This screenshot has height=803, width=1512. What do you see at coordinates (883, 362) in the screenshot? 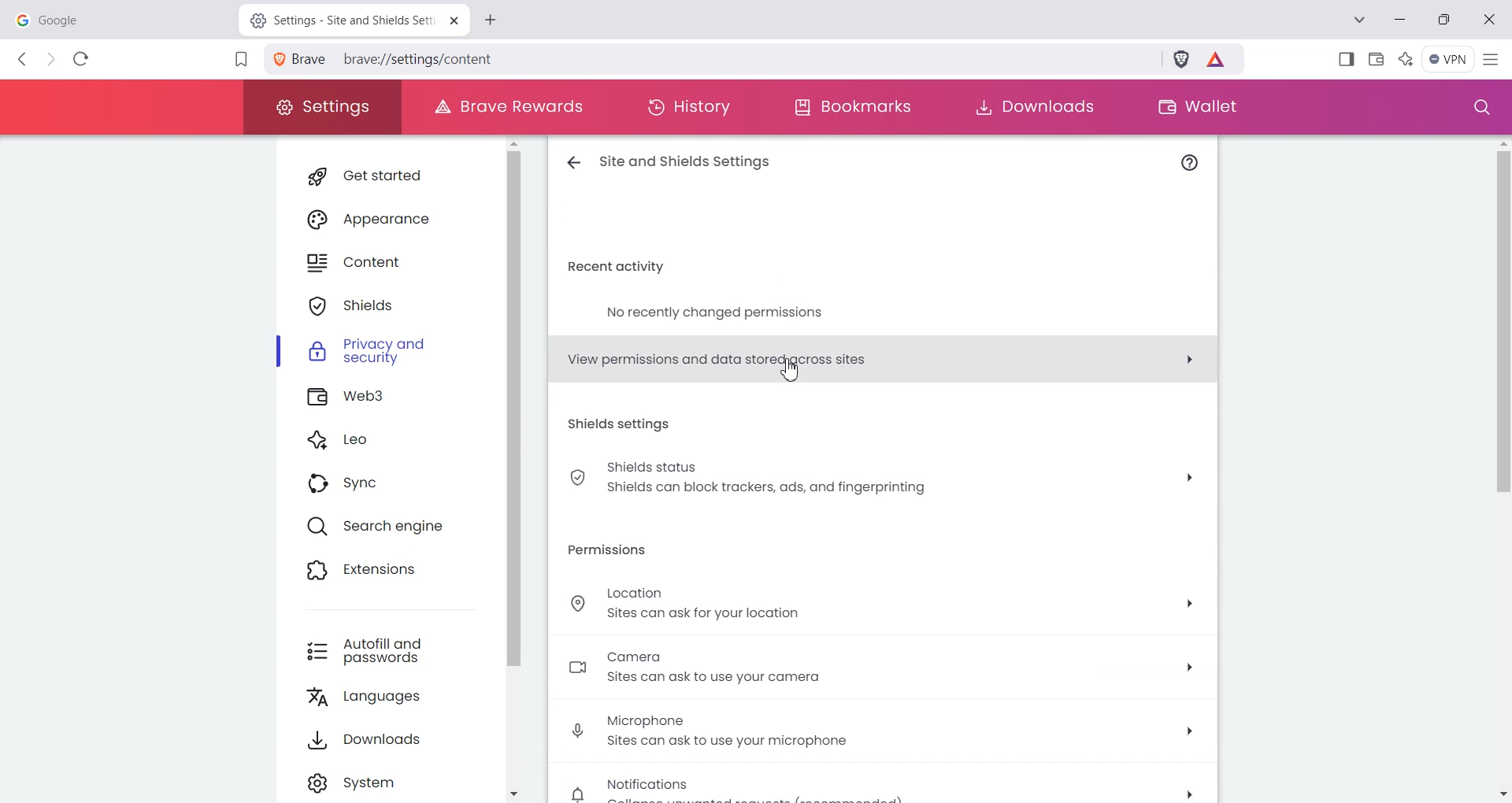
I see `View permissions and data stored across sites` at bounding box center [883, 362].